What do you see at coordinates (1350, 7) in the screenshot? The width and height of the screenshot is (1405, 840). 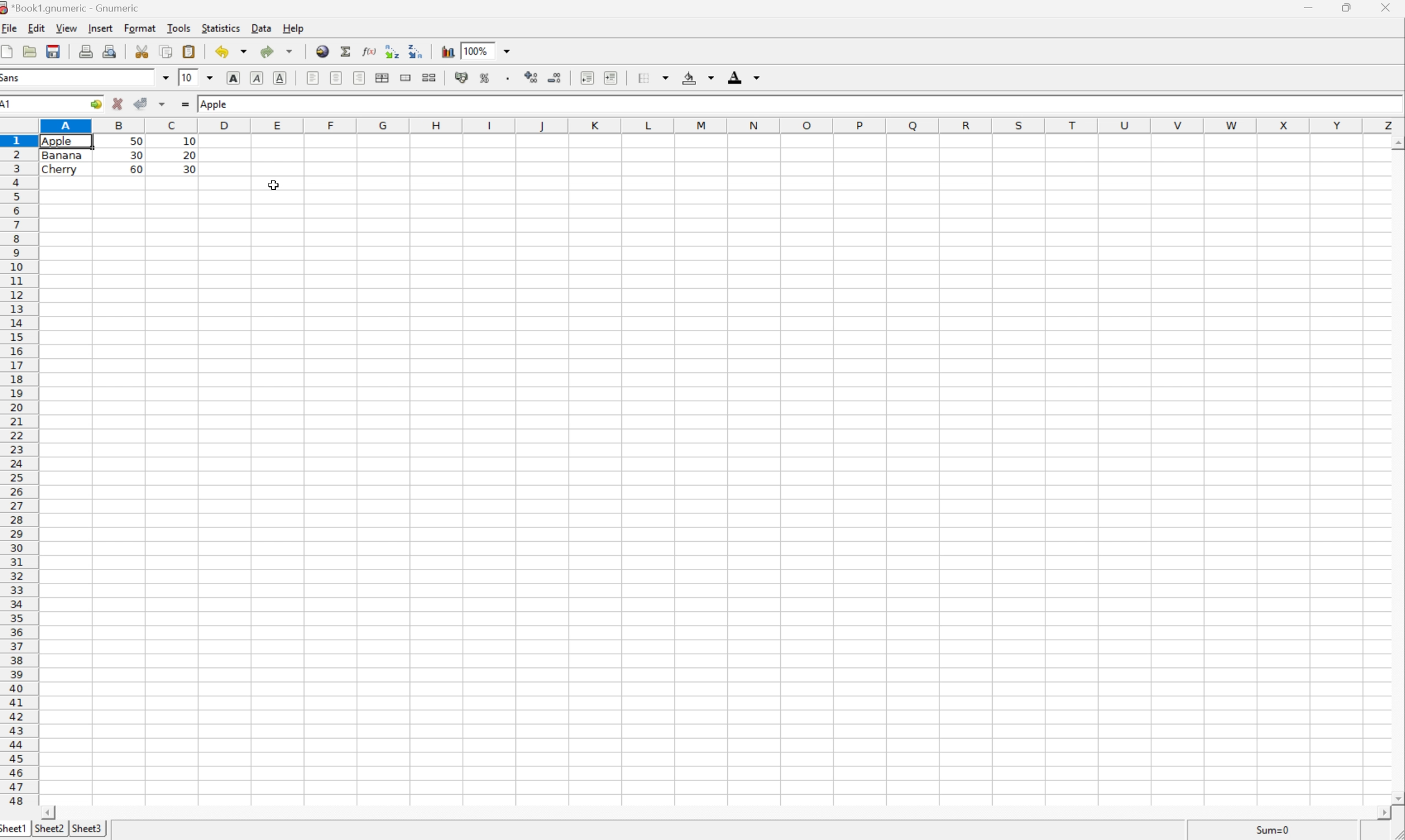 I see `restore down` at bounding box center [1350, 7].